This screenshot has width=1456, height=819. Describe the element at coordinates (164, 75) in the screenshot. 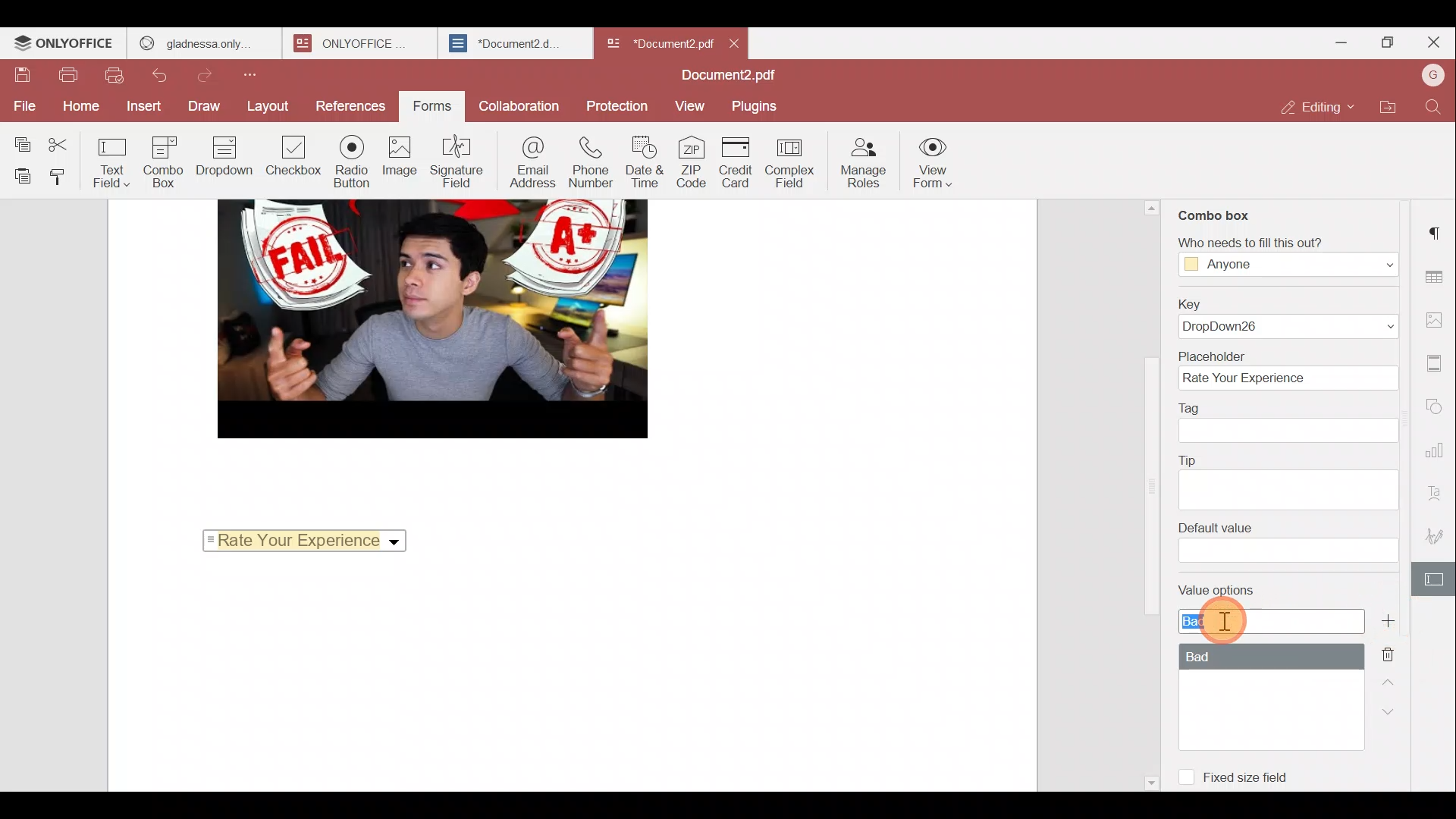

I see `Undo` at that location.